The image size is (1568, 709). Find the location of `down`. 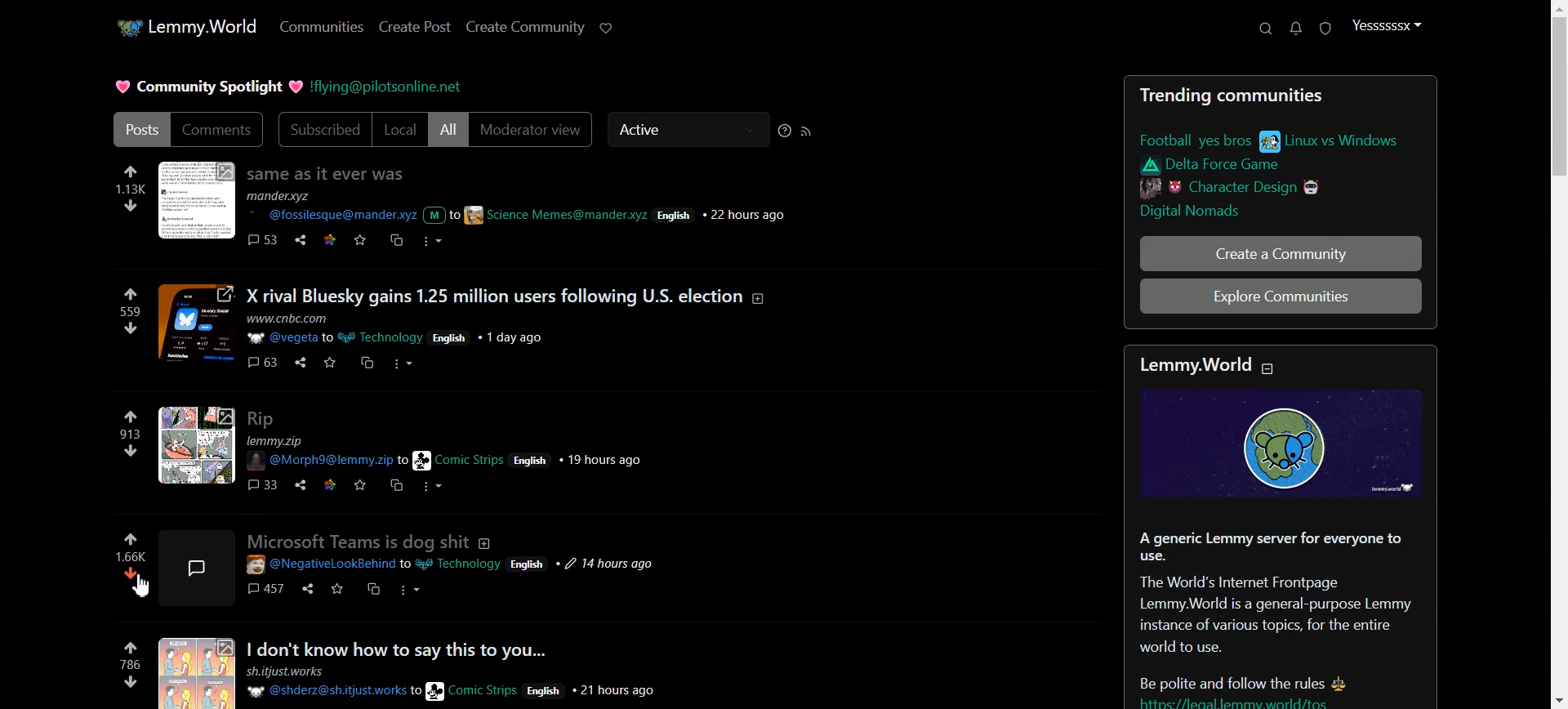

down is located at coordinates (130, 204).